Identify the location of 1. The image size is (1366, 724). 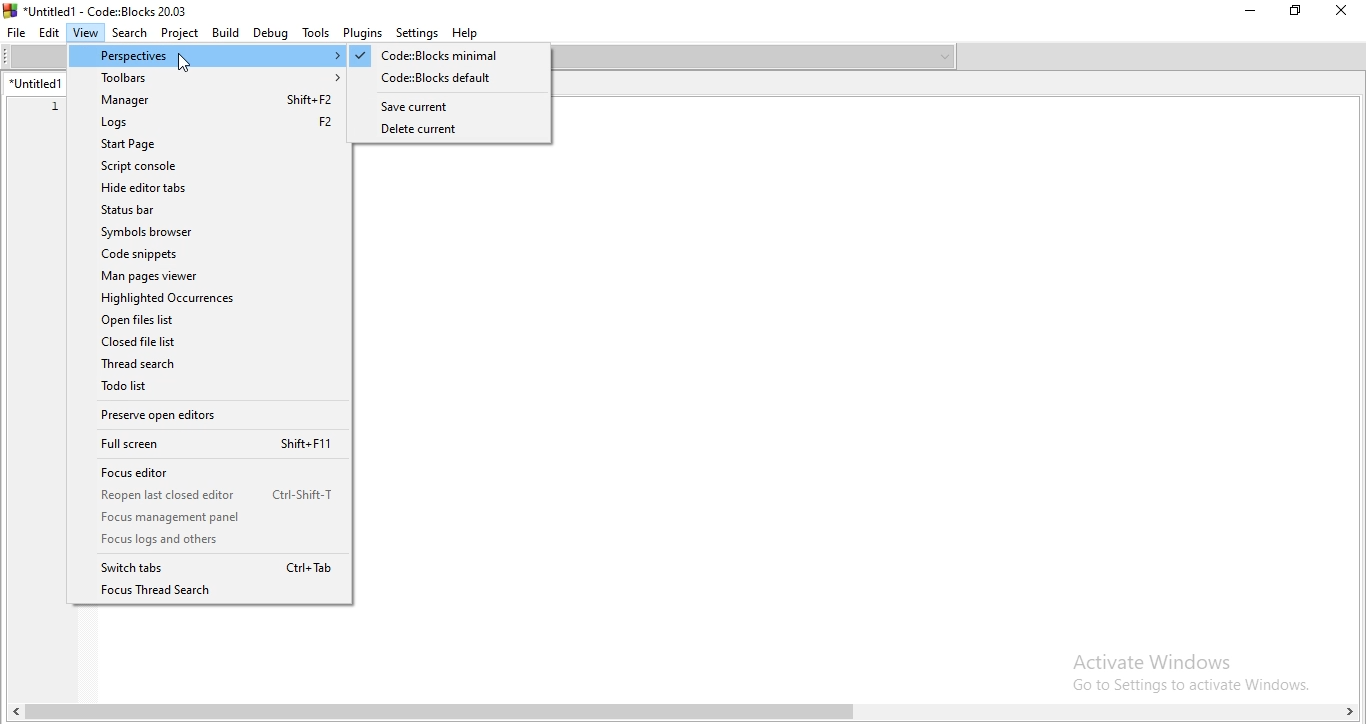
(36, 106).